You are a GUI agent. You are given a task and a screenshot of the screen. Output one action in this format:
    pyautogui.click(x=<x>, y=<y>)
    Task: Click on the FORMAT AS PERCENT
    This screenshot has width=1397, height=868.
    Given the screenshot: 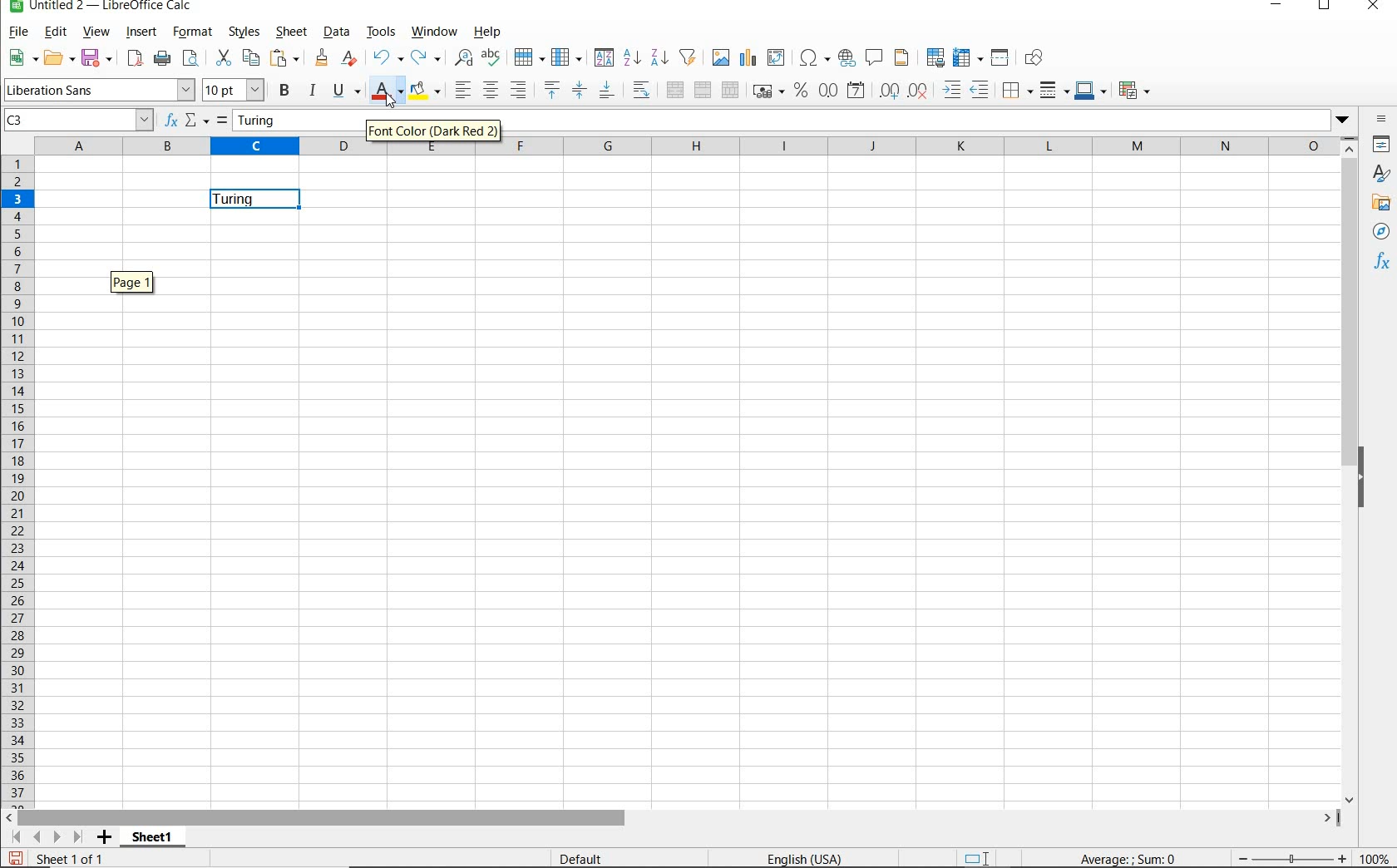 What is the action you would take?
    pyautogui.click(x=802, y=91)
    